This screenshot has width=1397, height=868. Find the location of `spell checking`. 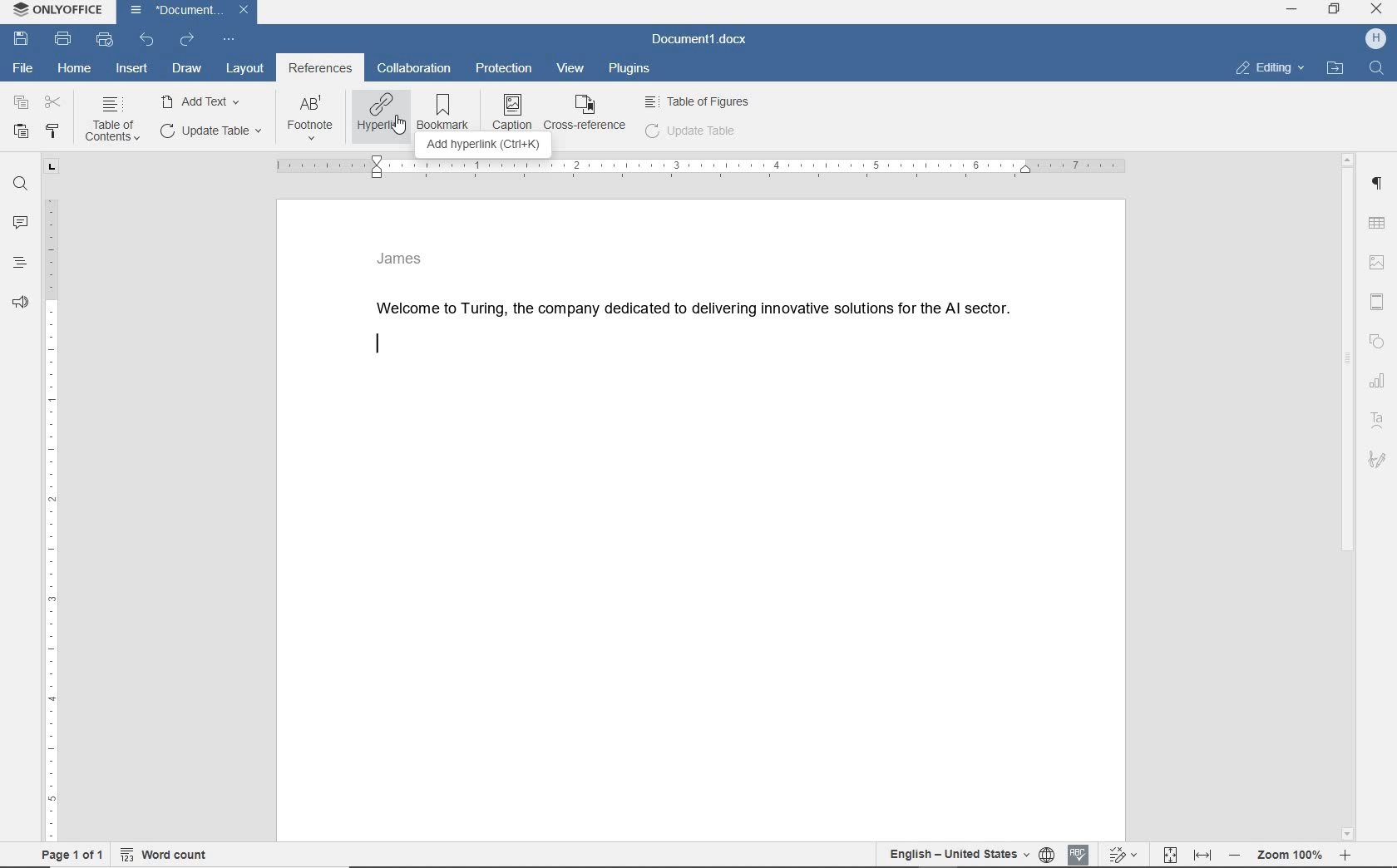

spell checking is located at coordinates (1079, 854).